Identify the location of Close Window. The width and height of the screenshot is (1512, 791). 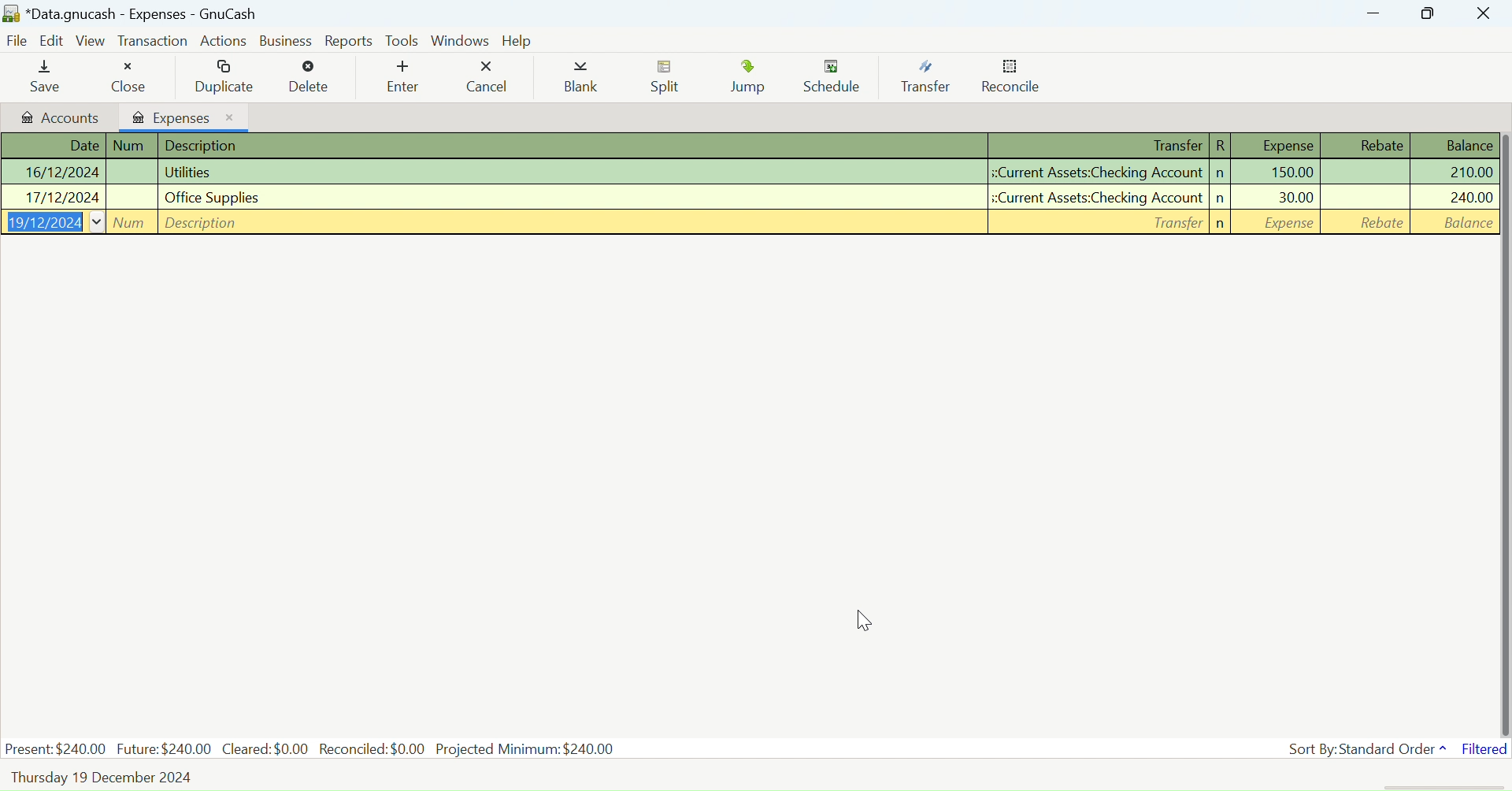
(1484, 13).